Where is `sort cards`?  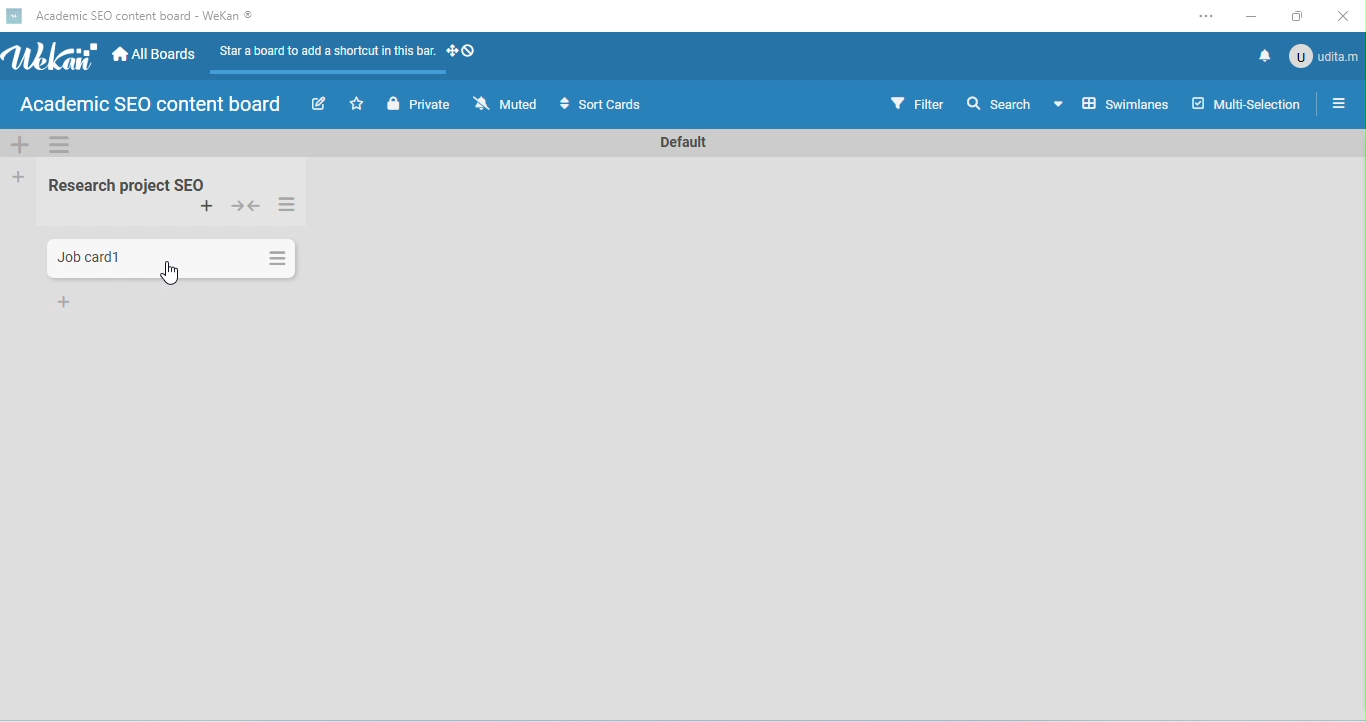
sort cards is located at coordinates (599, 104).